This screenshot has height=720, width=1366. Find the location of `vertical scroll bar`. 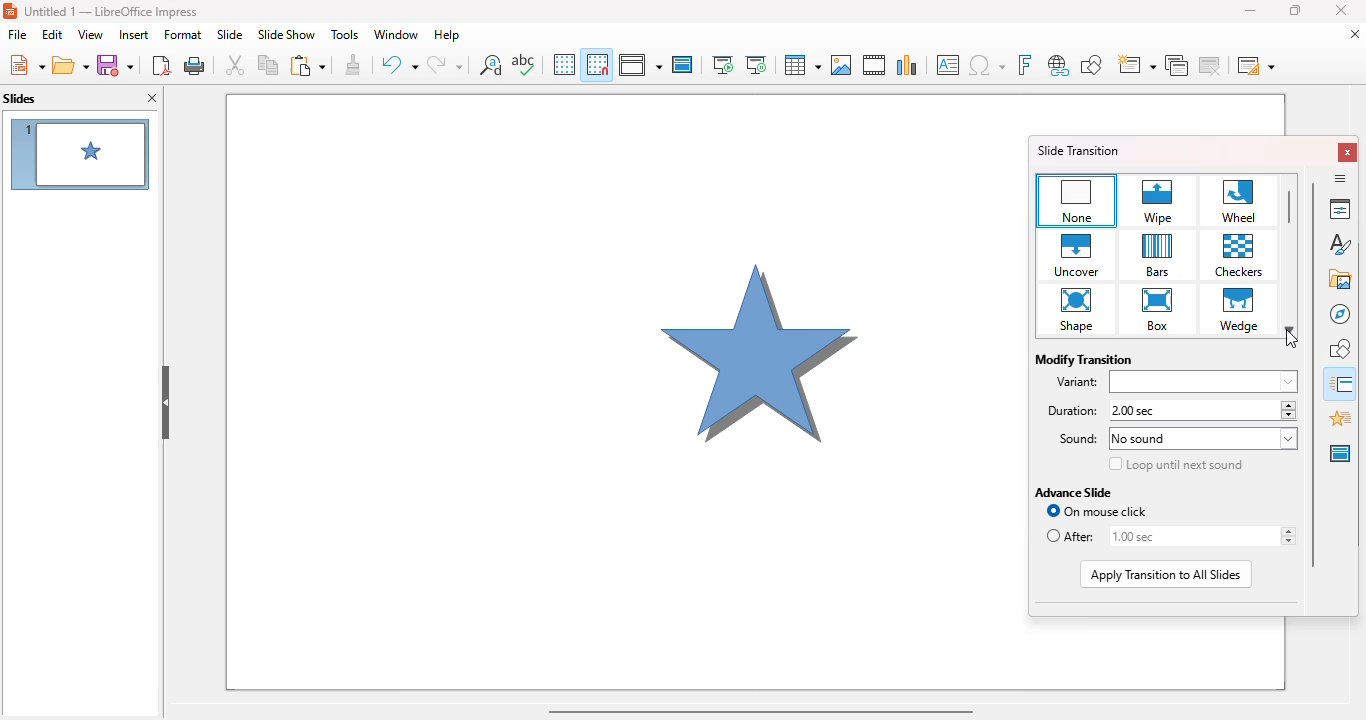

vertical scroll bar is located at coordinates (1313, 373).